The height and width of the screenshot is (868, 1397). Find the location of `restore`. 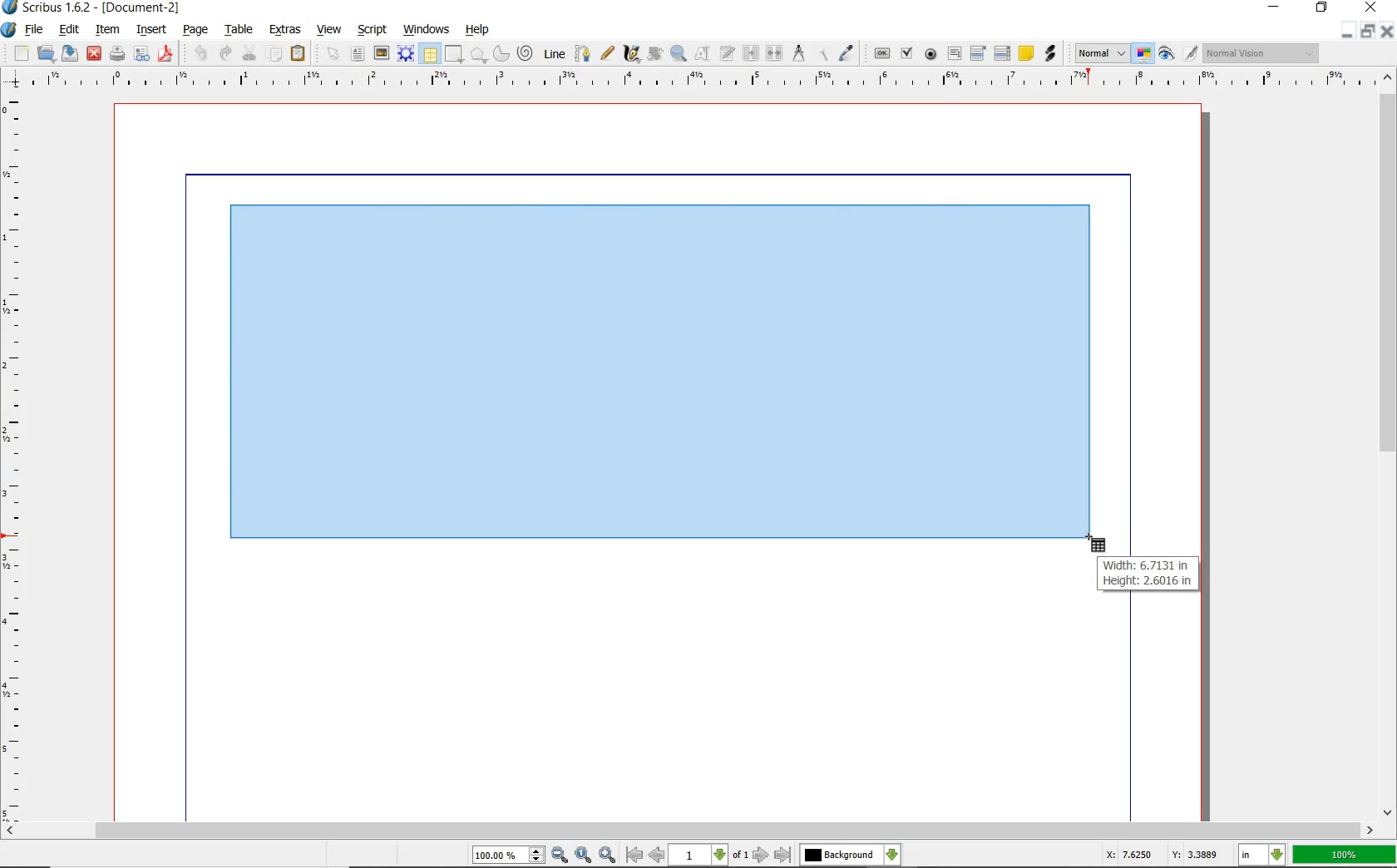

restore is located at coordinates (1322, 8).